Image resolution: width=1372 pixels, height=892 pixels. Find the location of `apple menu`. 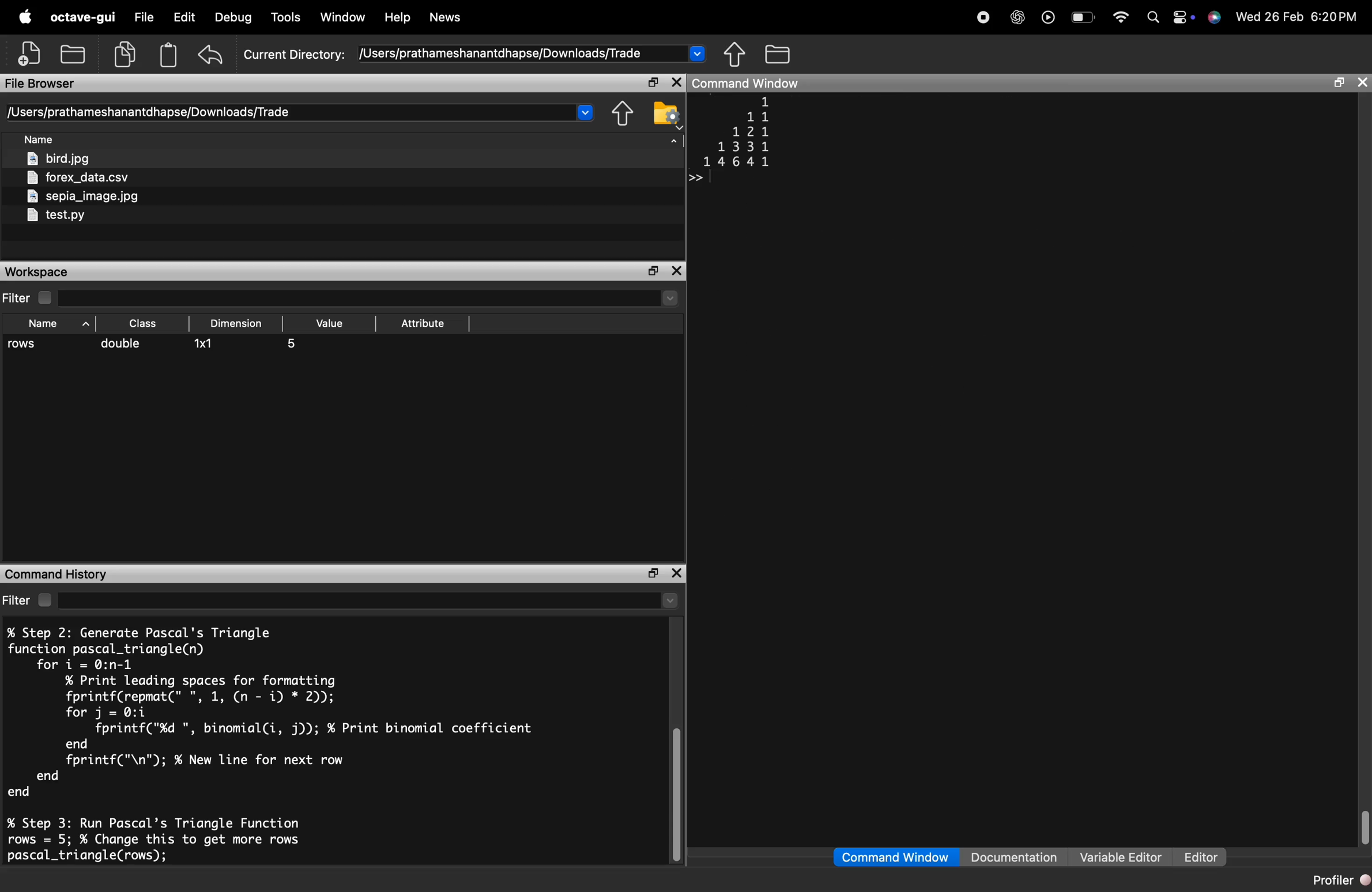

apple menu is located at coordinates (24, 16).